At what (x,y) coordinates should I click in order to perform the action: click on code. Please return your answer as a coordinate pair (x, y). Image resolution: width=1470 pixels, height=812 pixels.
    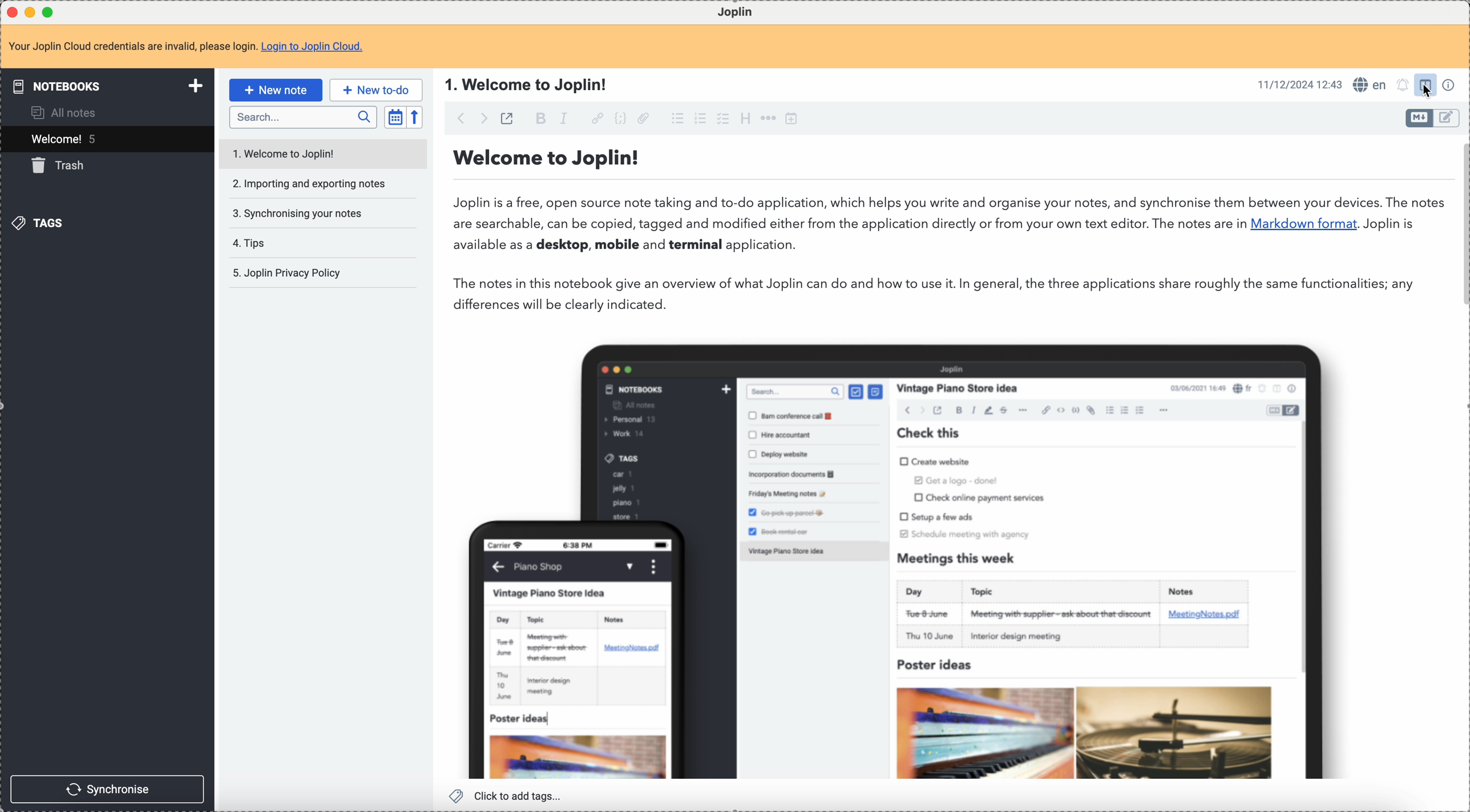
    Looking at the image, I should click on (622, 119).